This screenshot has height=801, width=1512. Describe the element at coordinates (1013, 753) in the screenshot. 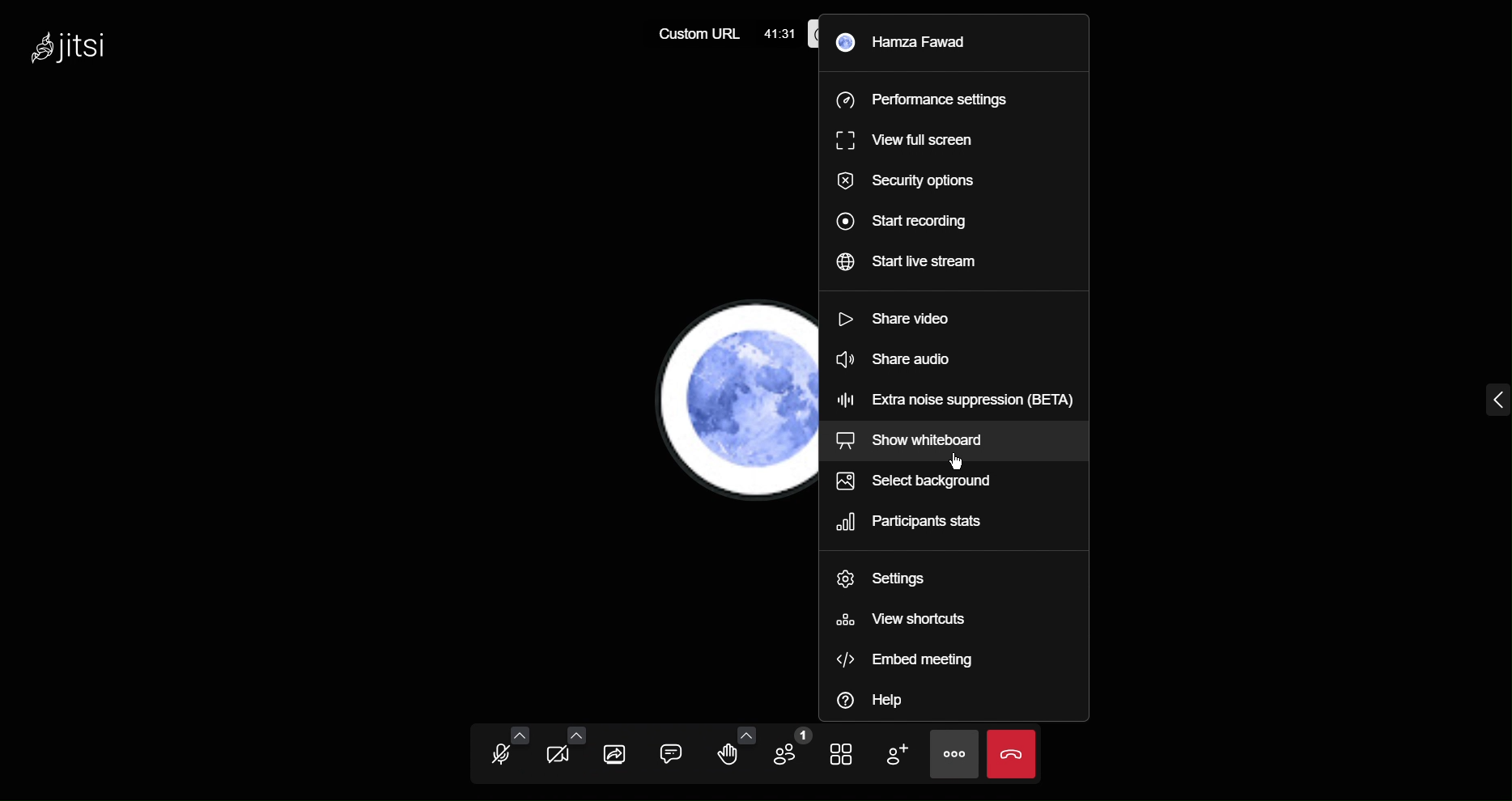

I see `Close video` at that location.